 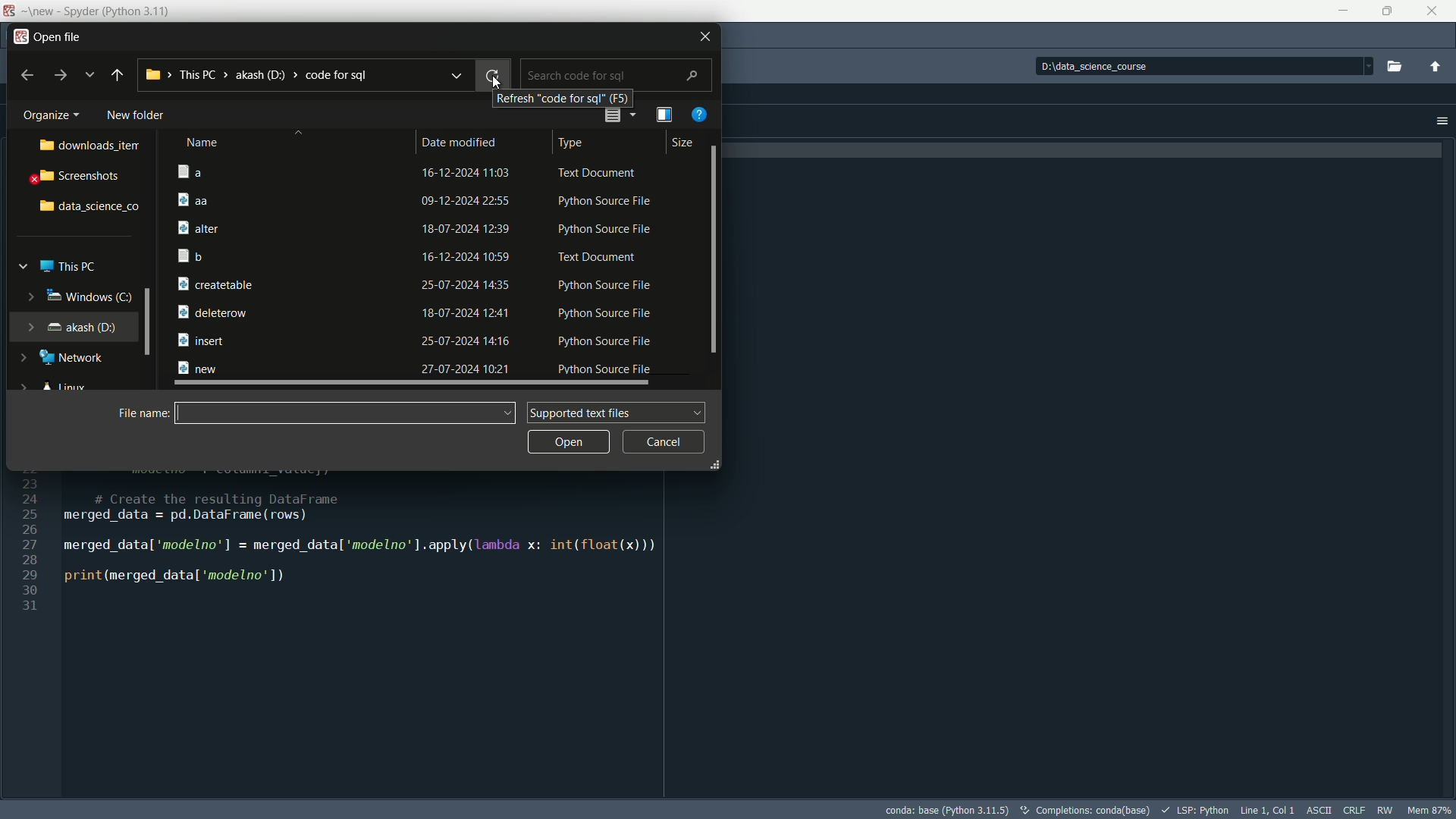 What do you see at coordinates (714, 250) in the screenshot?
I see `Scrollbar` at bounding box center [714, 250].